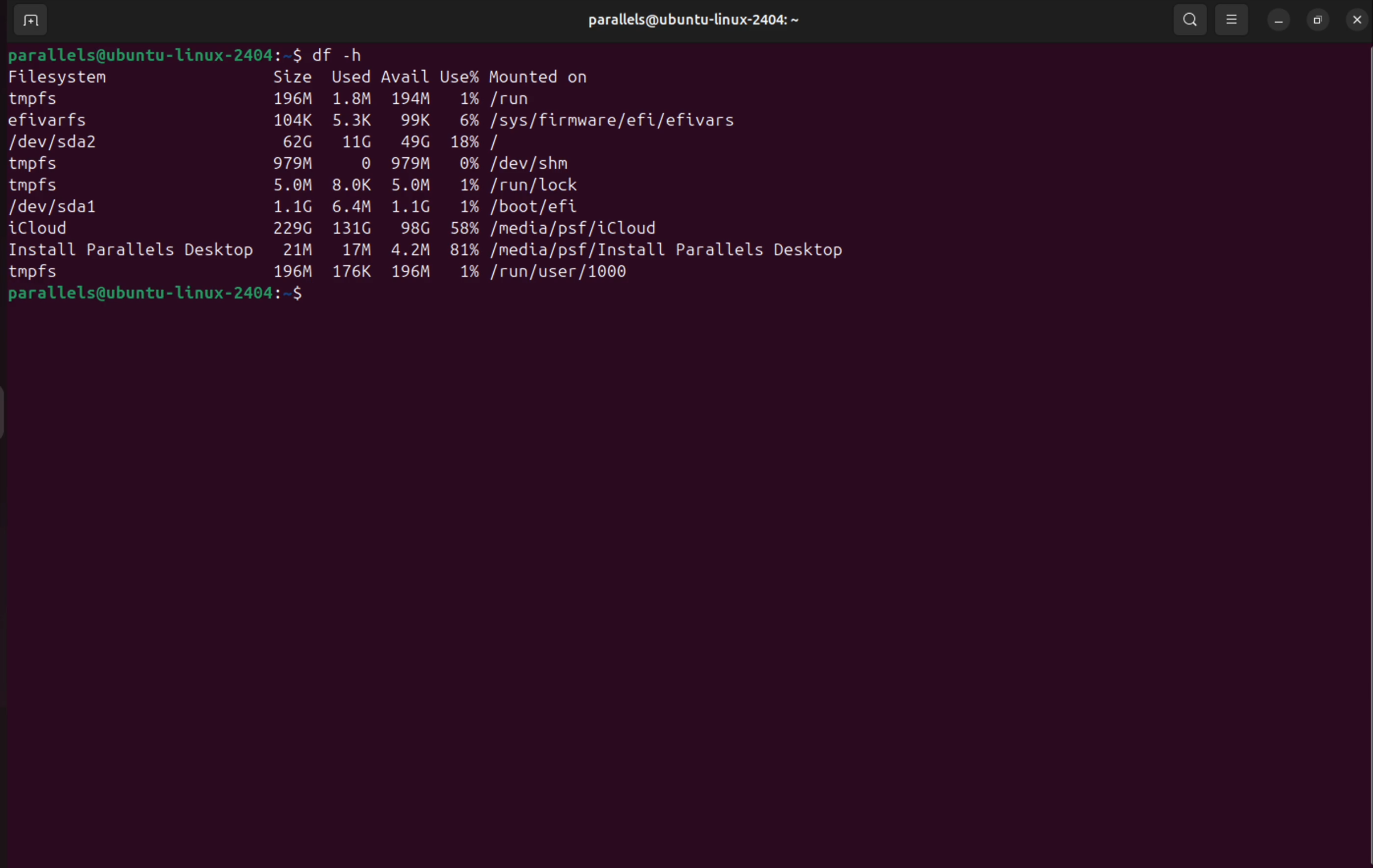 Image resolution: width=1373 pixels, height=868 pixels. Describe the element at coordinates (64, 122) in the screenshot. I see `efiwarts` at that location.